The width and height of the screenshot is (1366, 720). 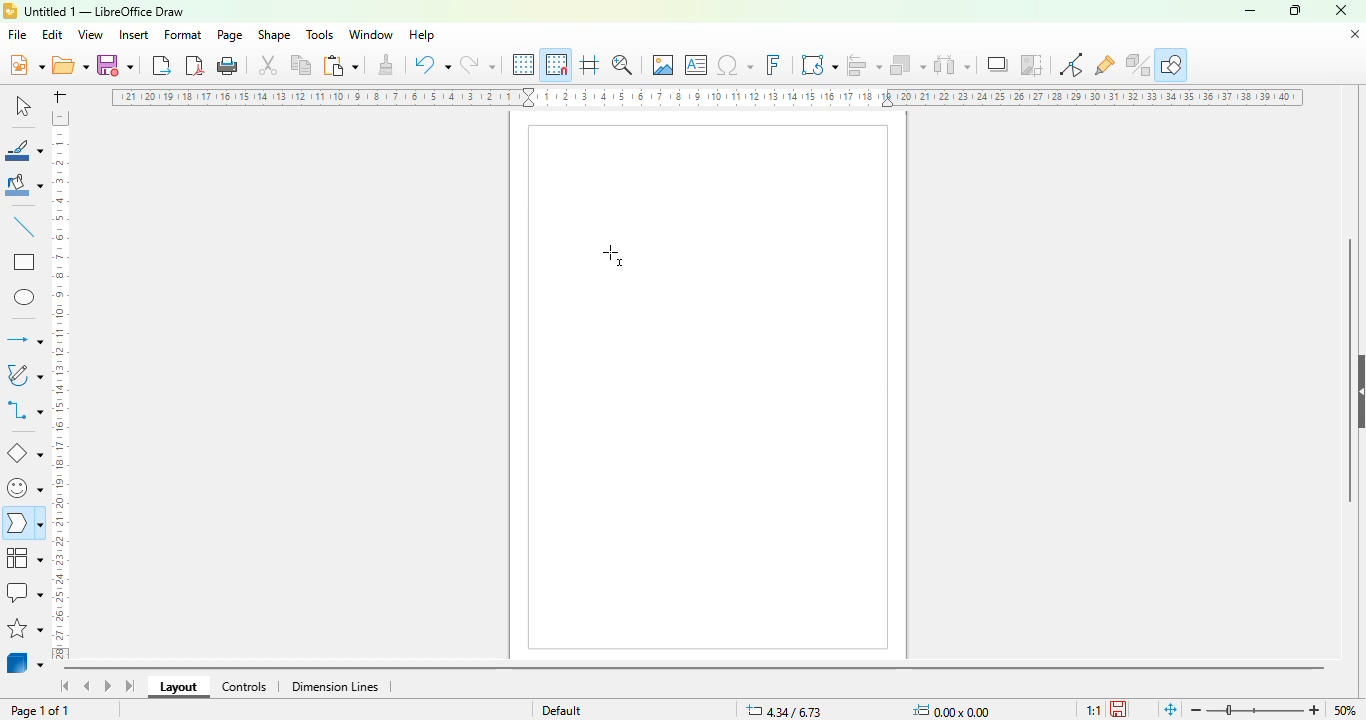 I want to click on select, so click(x=22, y=105).